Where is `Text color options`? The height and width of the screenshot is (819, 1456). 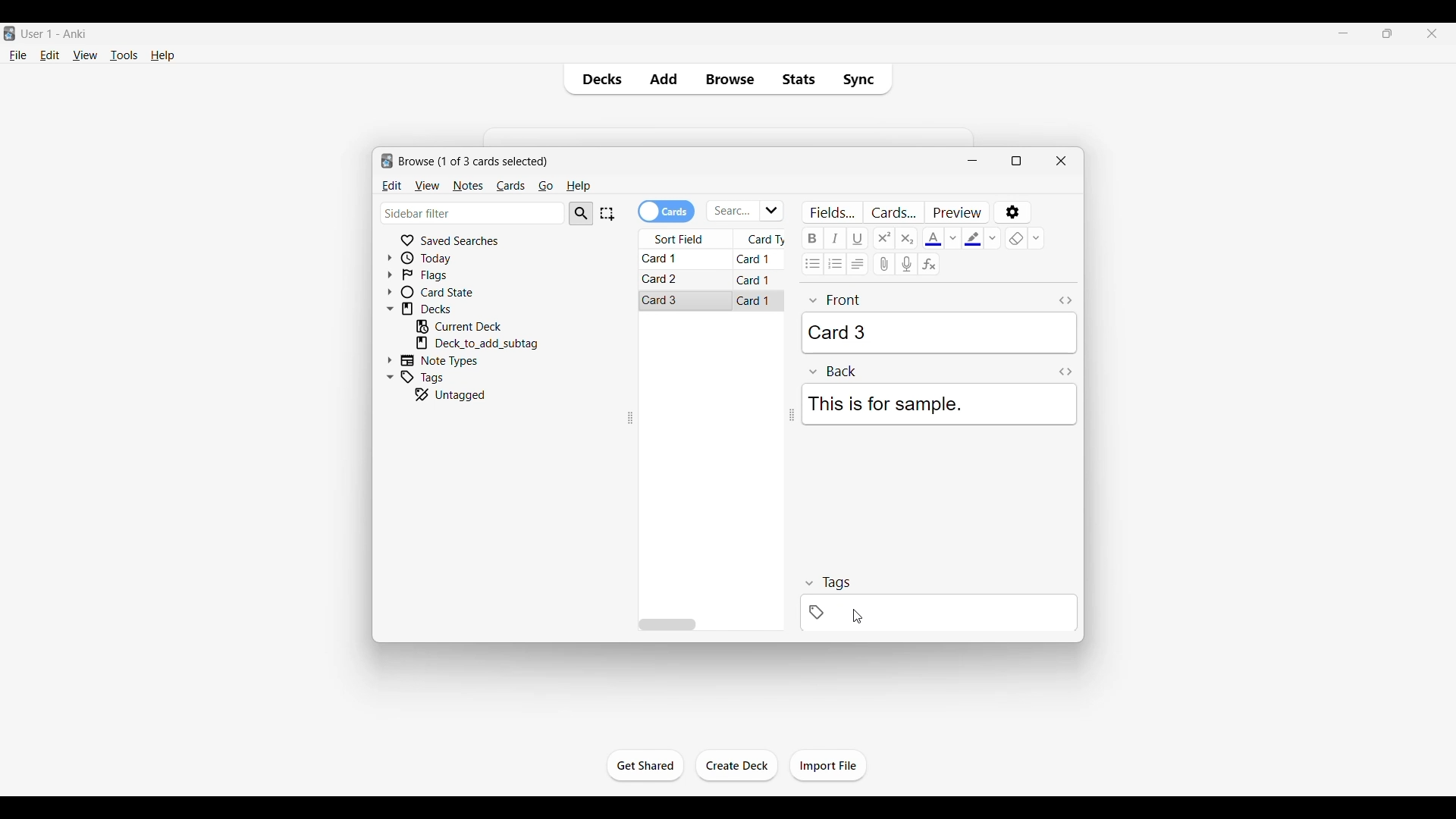
Text color options is located at coordinates (952, 238).